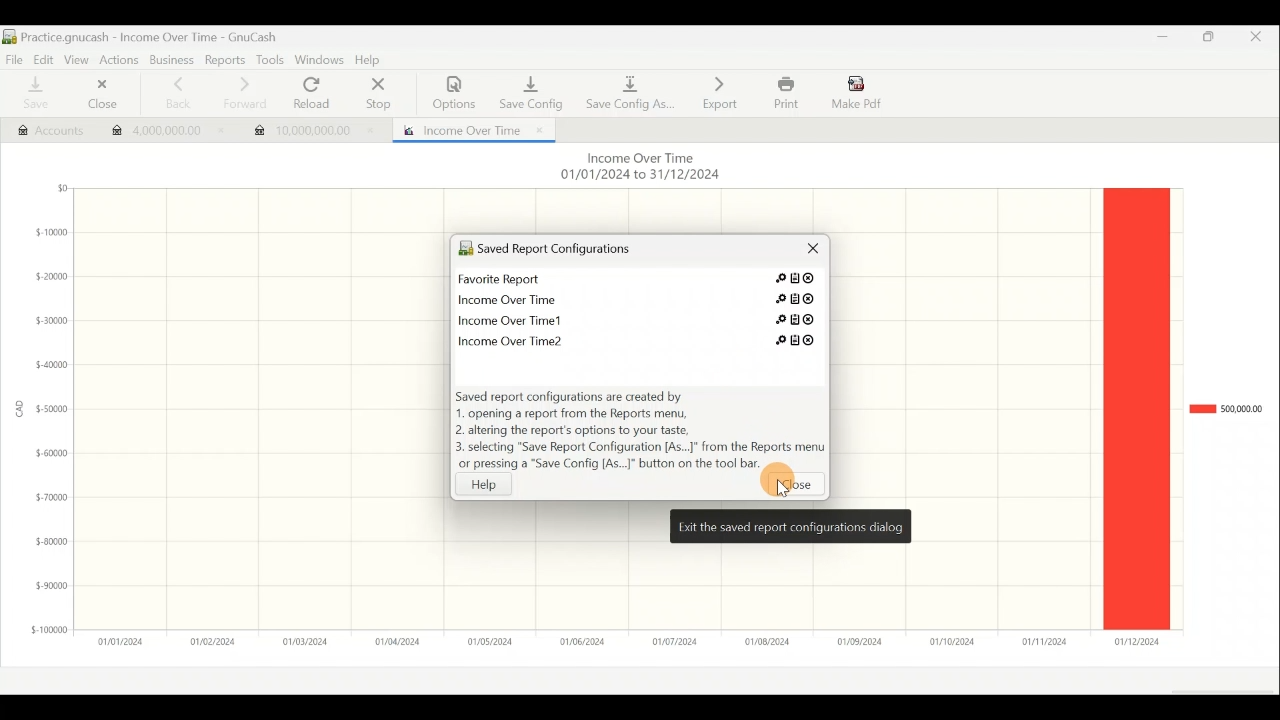 This screenshot has height=720, width=1280. I want to click on Forward, so click(243, 93).